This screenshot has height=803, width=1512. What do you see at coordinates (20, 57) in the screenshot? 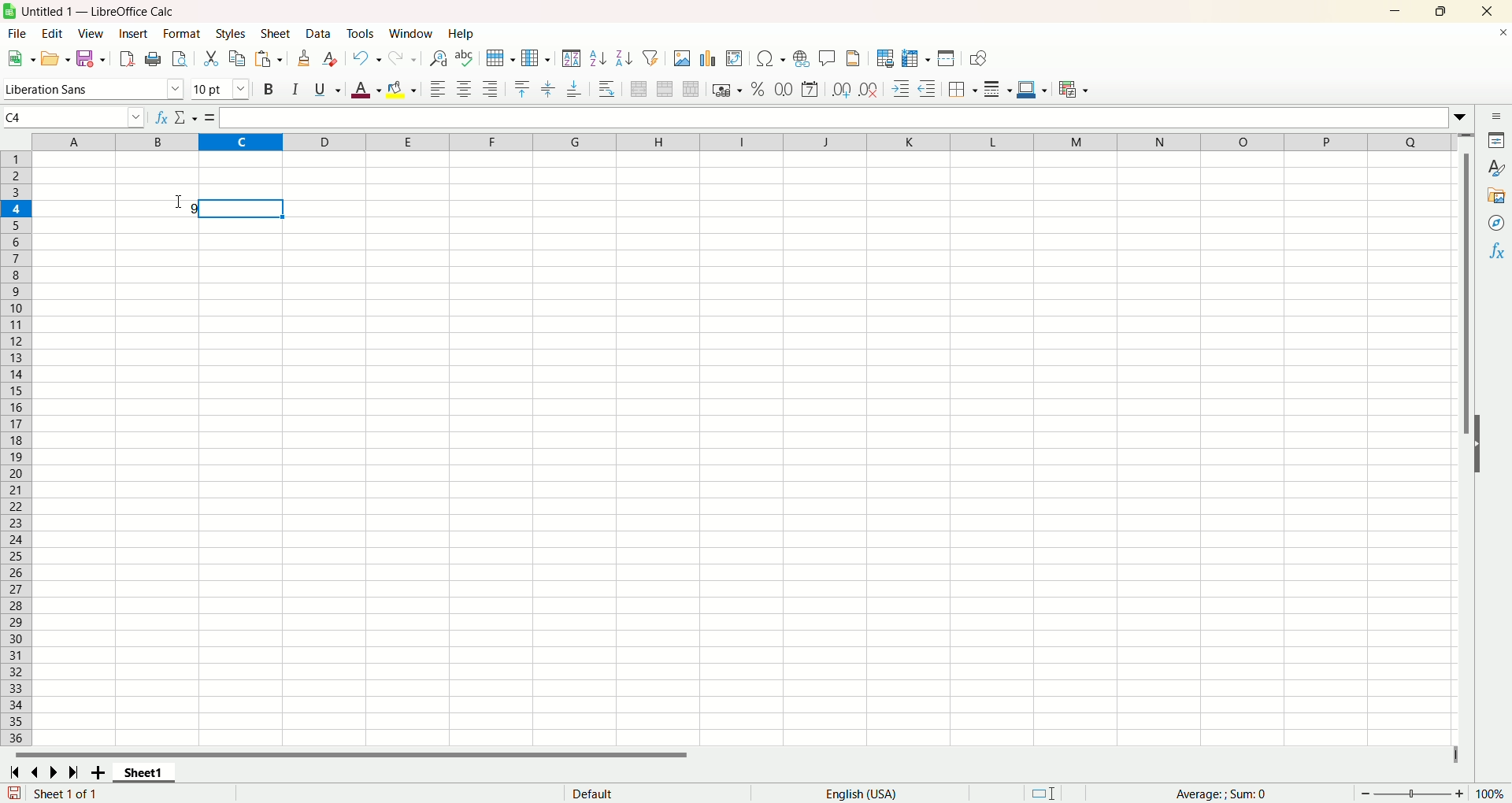
I see `New` at bounding box center [20, 57].